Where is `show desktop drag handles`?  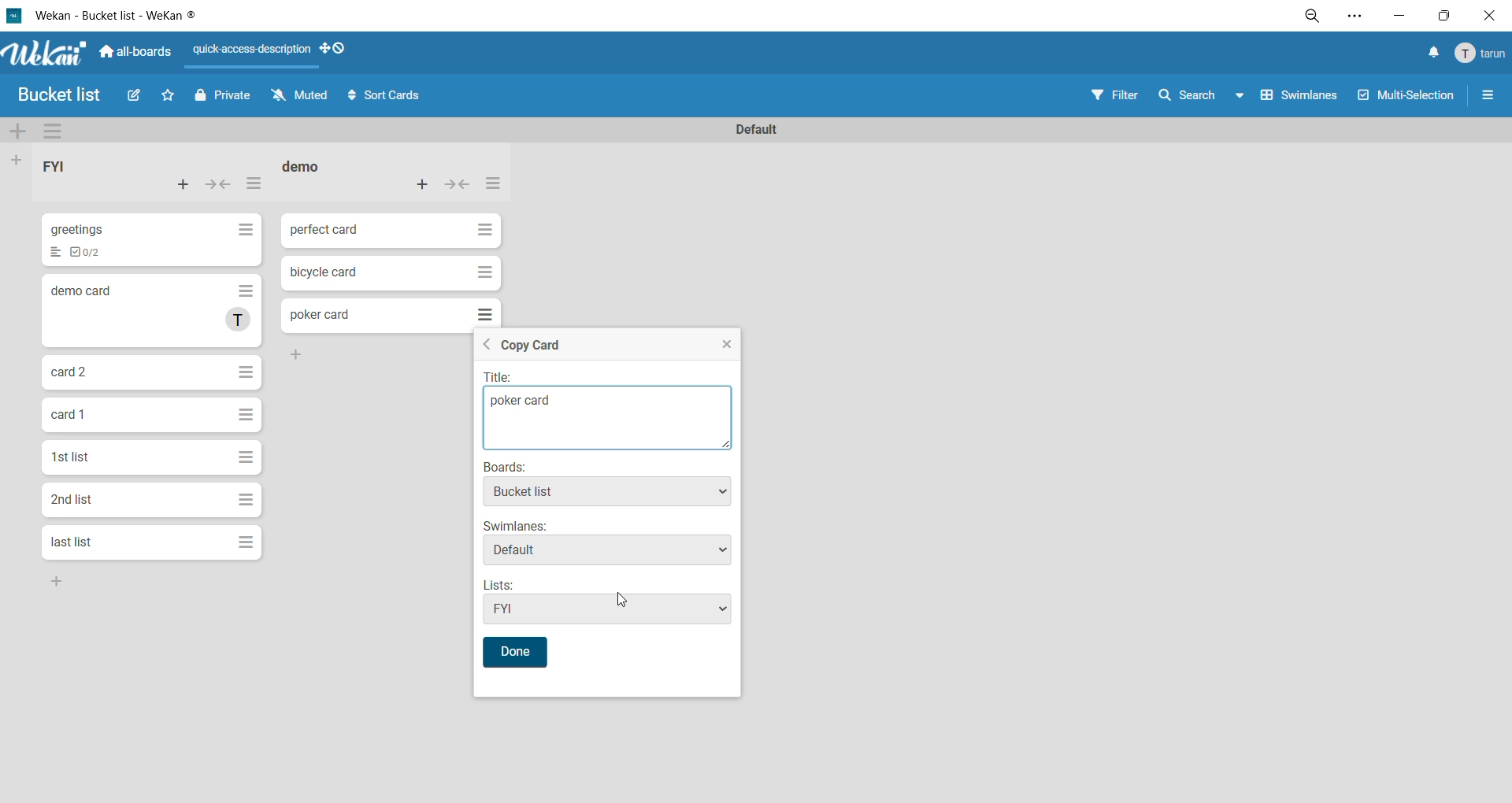 show desktop drag handles is located at coordinates (339, 50).